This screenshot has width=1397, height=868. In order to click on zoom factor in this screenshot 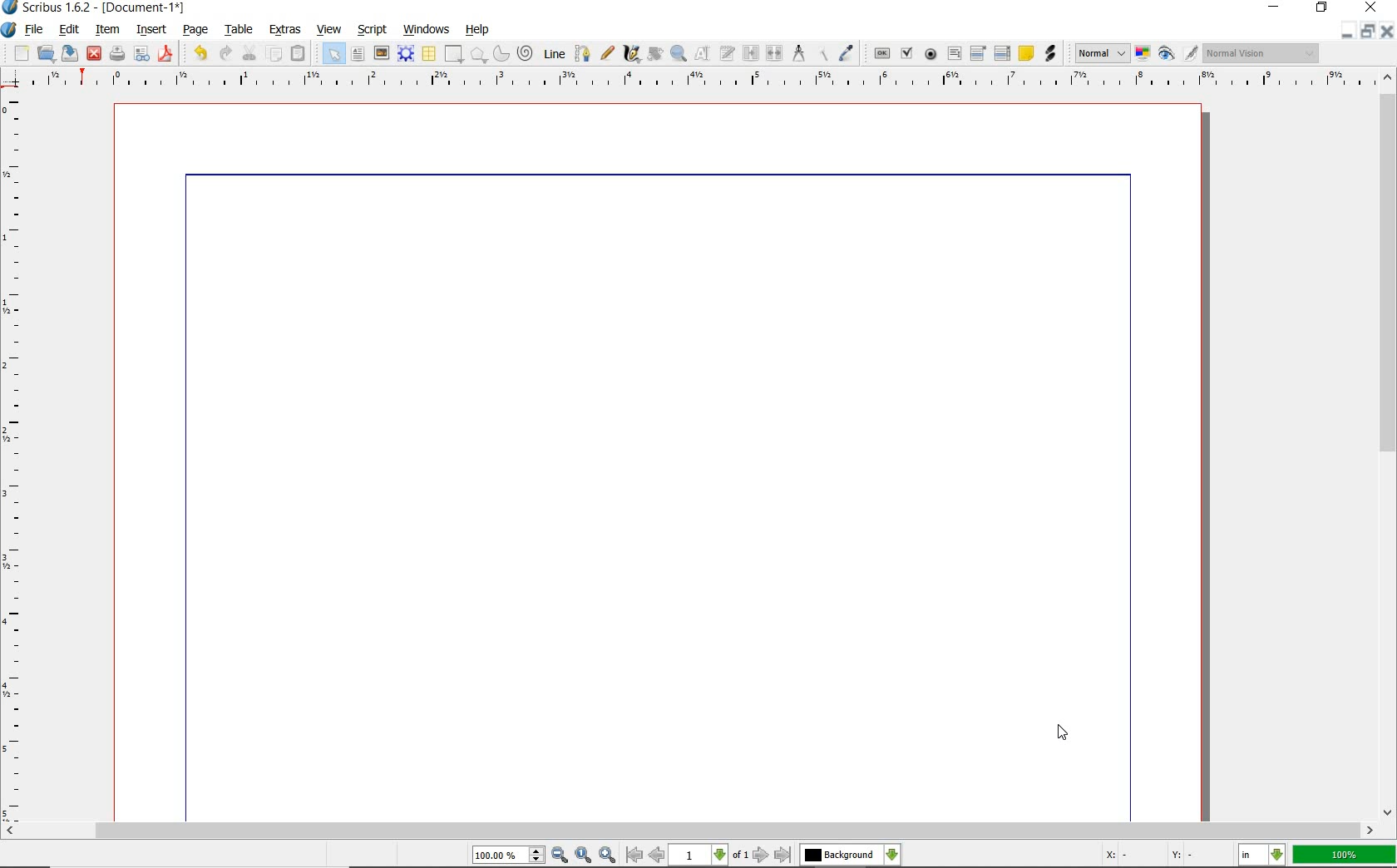, I will do `click(1343, 856)`.